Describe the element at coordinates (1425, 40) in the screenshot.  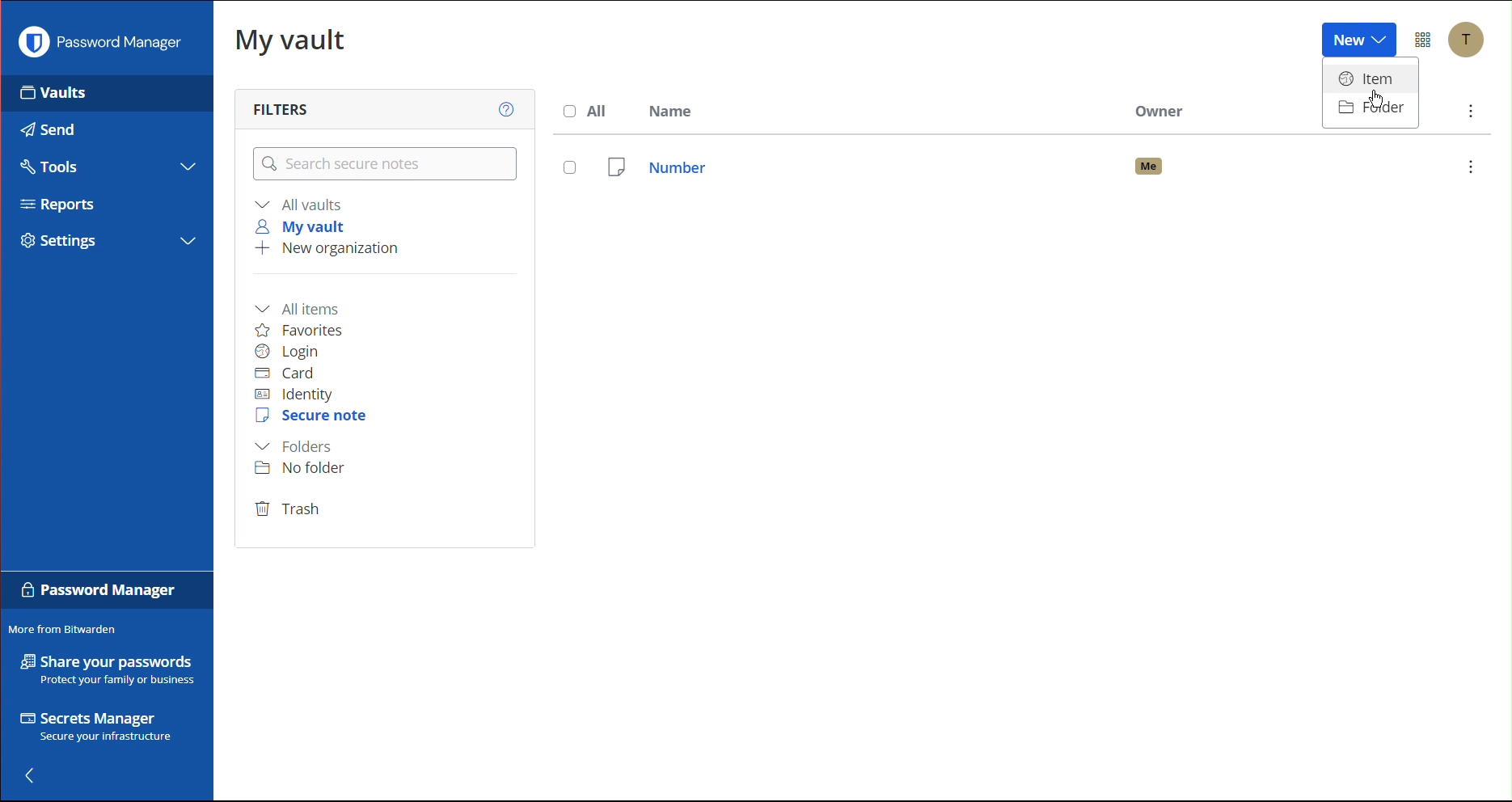
I see `Options` at that location.